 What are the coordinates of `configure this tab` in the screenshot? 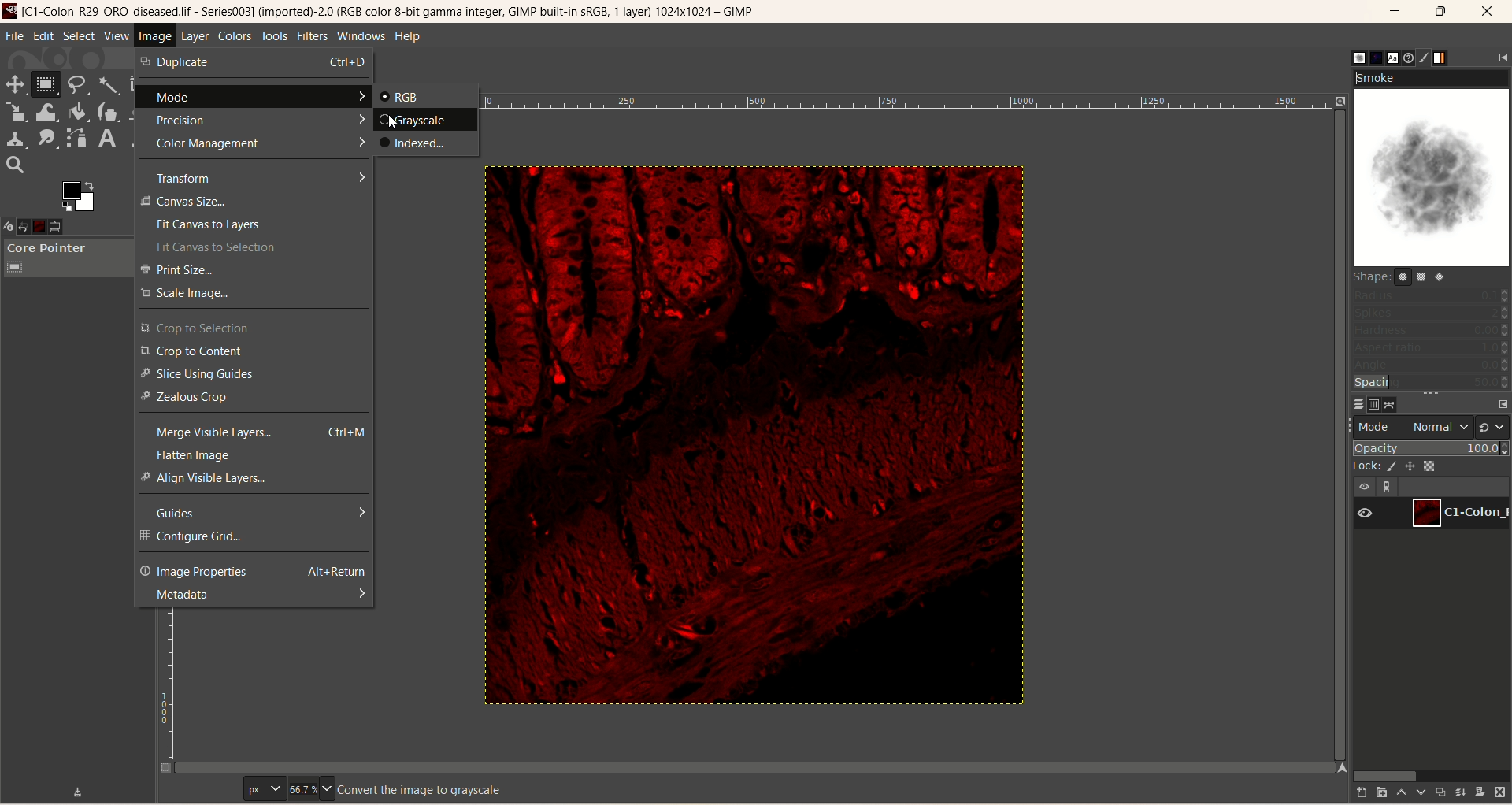 It's located at (1501, 57).